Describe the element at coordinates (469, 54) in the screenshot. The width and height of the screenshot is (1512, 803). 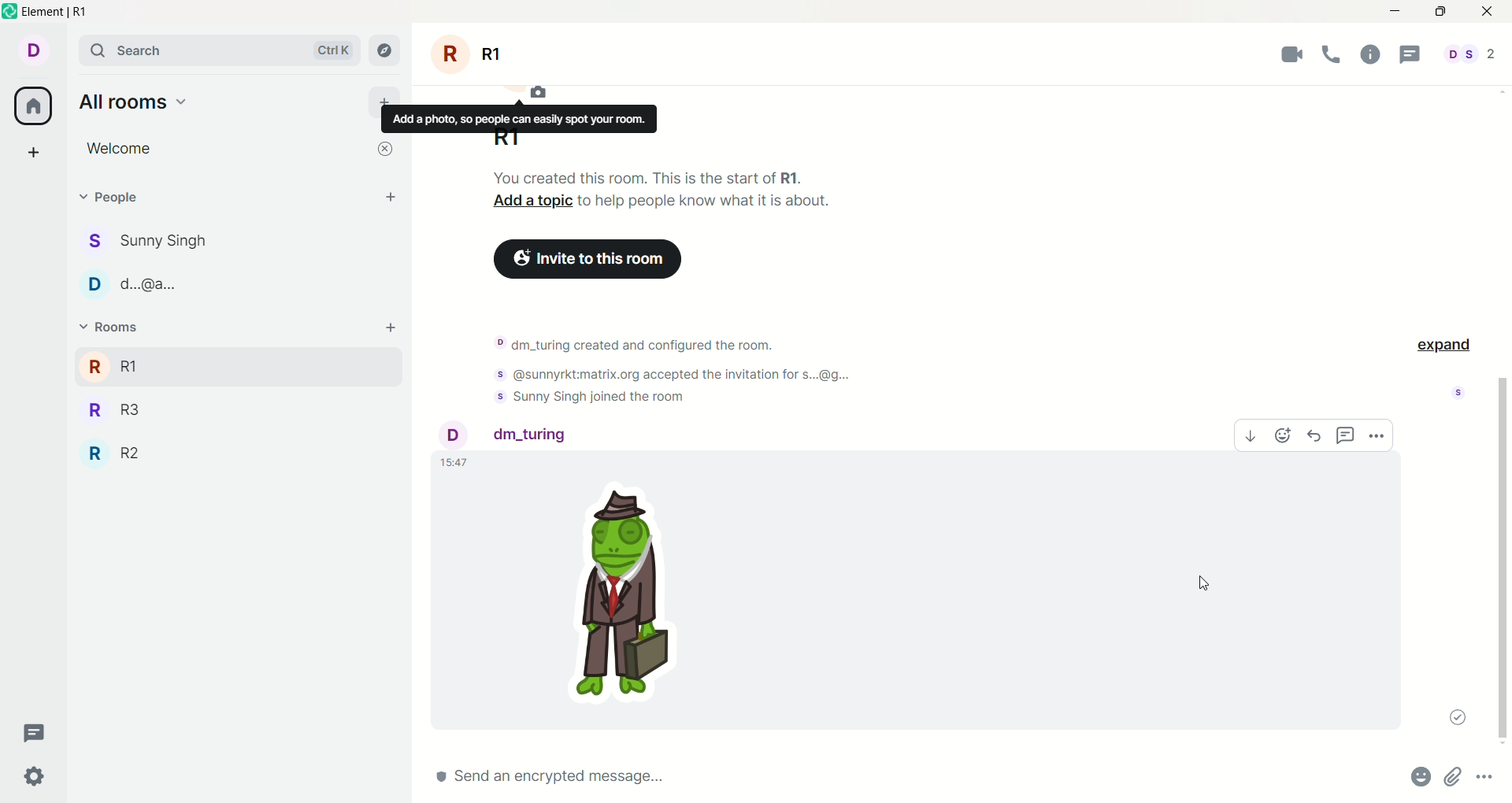
I see `room` at that location.